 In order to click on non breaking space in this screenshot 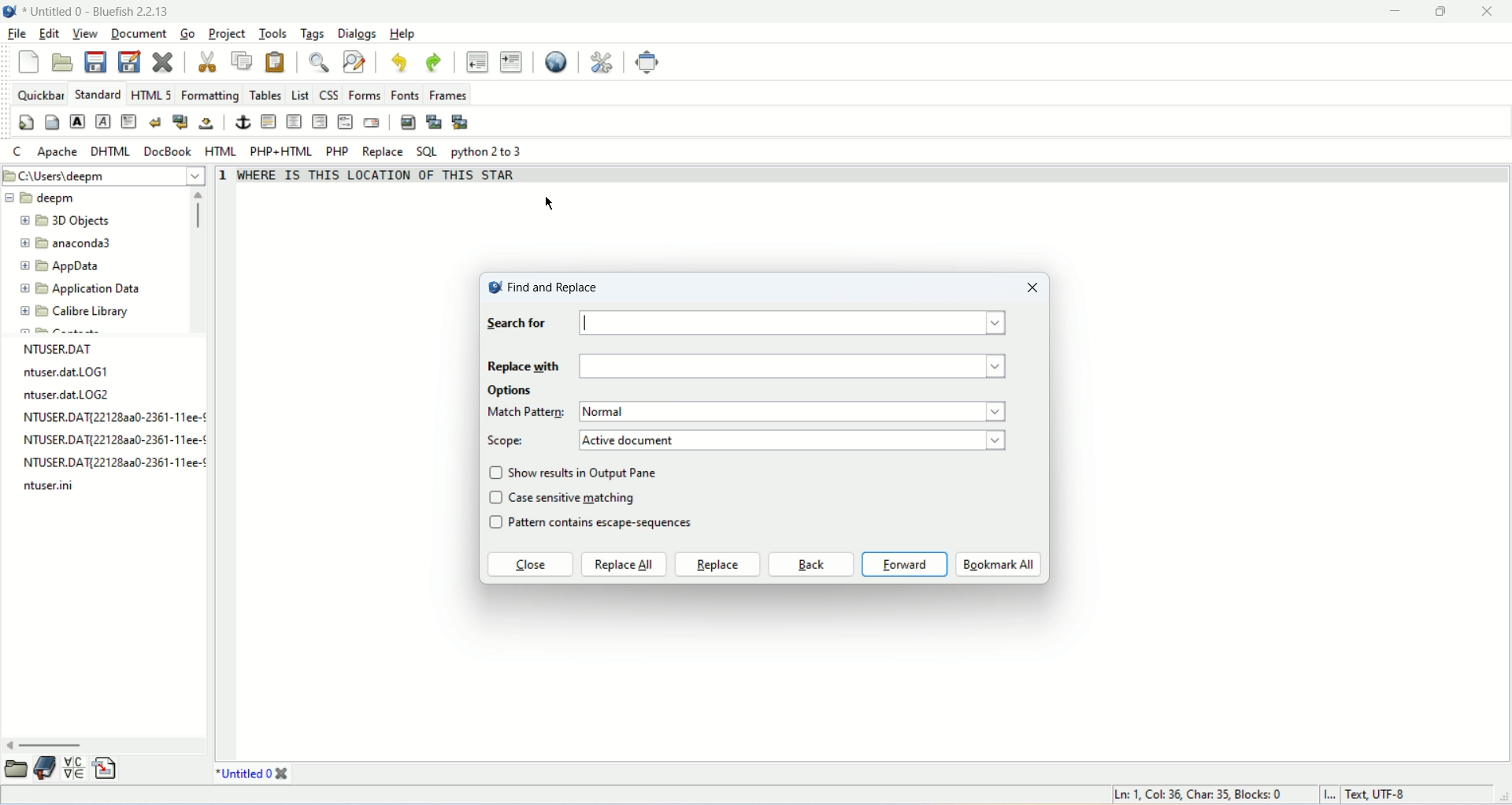, I will do `click(205, 124)`.